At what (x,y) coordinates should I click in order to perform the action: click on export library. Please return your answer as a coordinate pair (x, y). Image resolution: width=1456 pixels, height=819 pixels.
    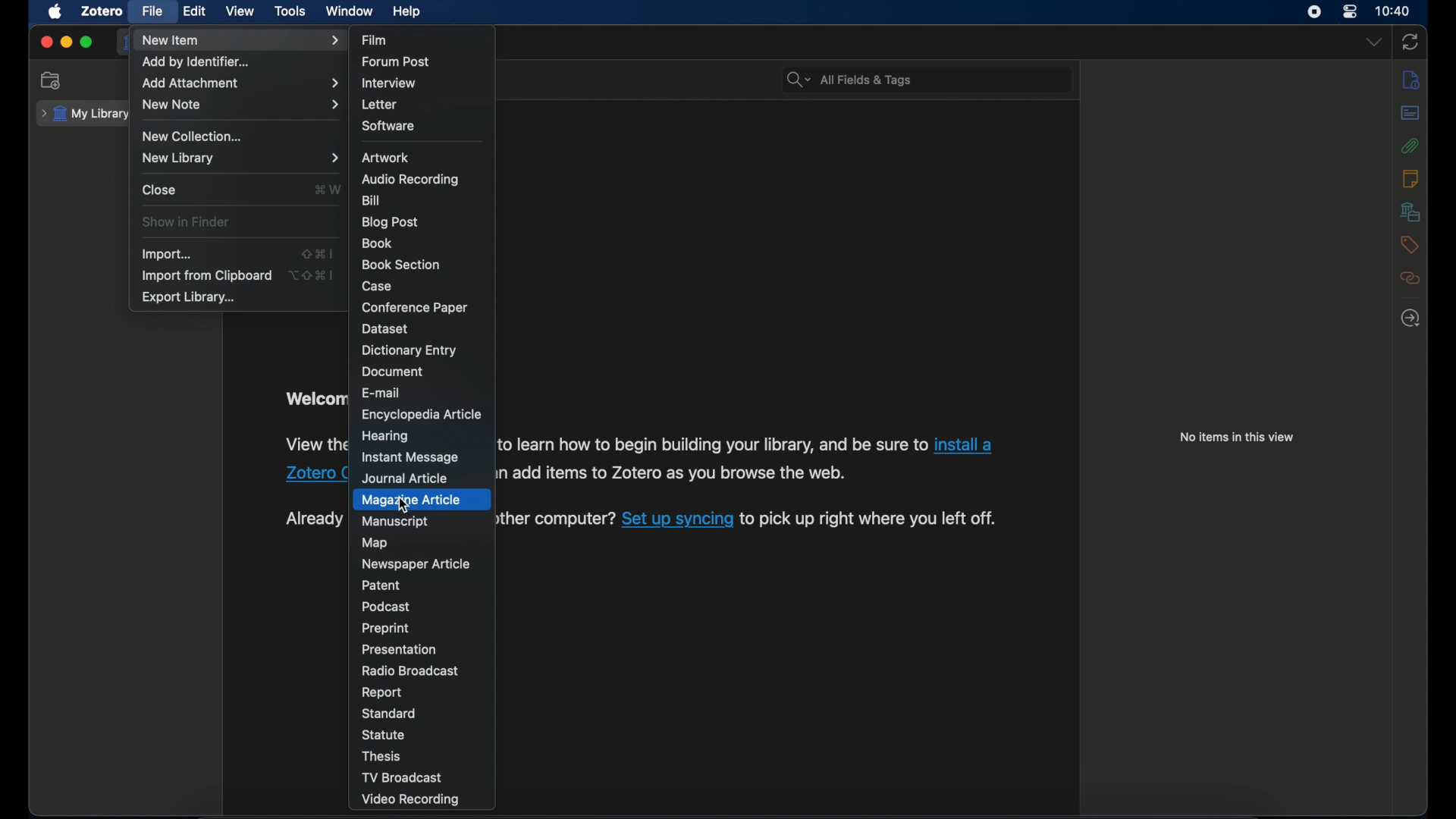
    Looking at the image, I should click on (190, 297).